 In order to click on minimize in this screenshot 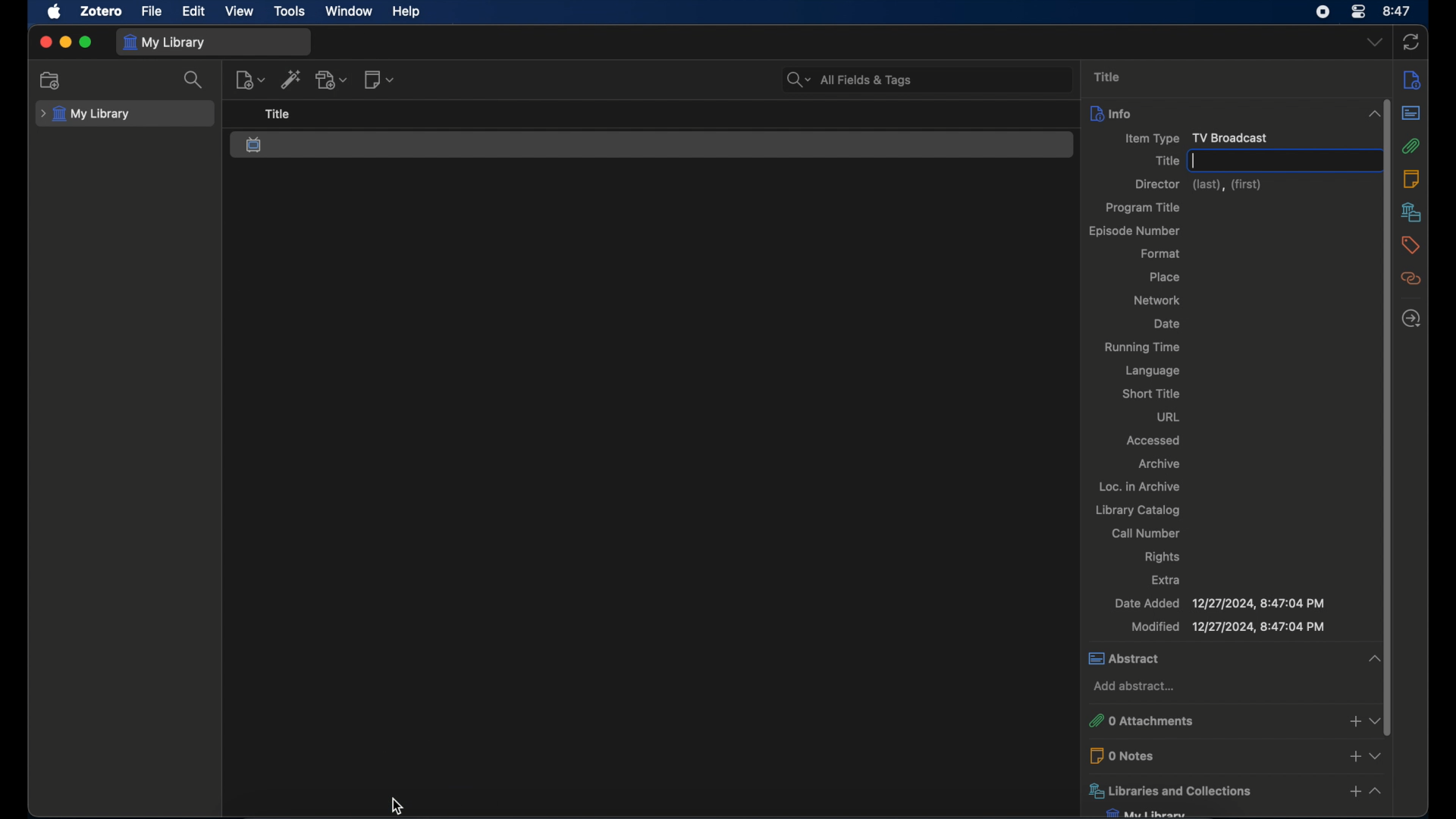, I will do `click(65, 43)`.